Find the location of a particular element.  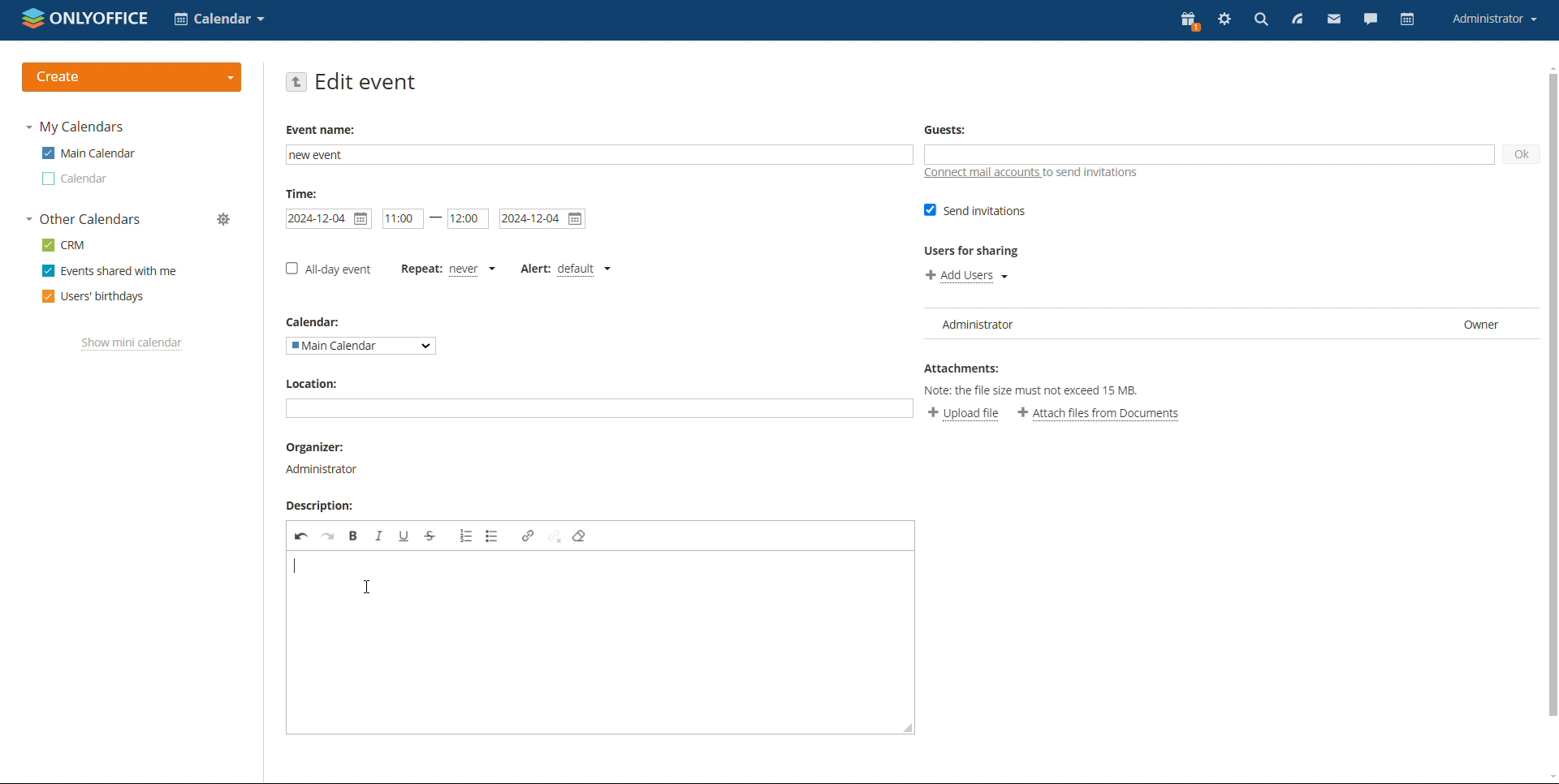

account is located at coordinates (1493, 19).